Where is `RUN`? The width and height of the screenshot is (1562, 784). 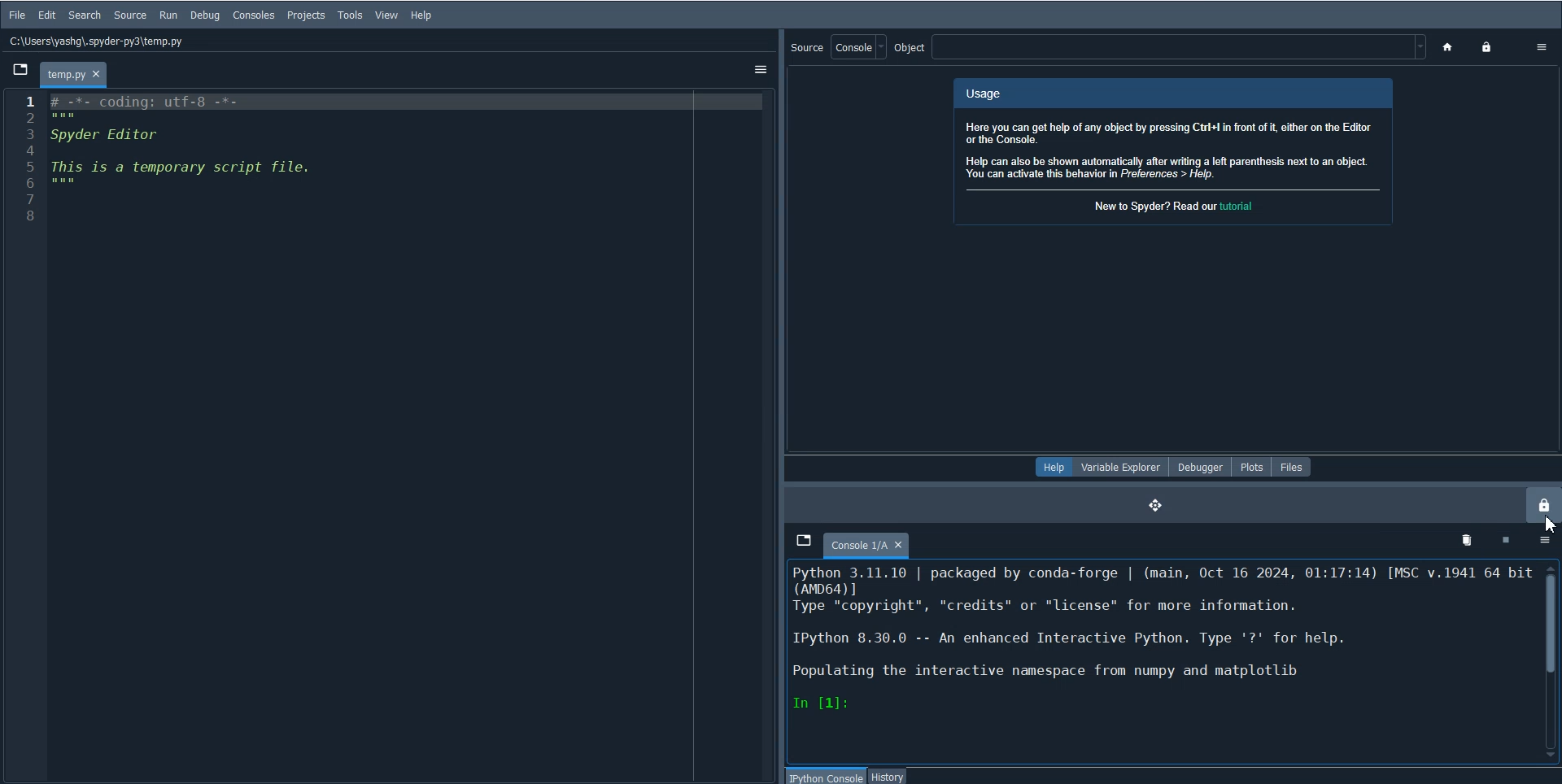
RUN is located at coordinates (168, 15).